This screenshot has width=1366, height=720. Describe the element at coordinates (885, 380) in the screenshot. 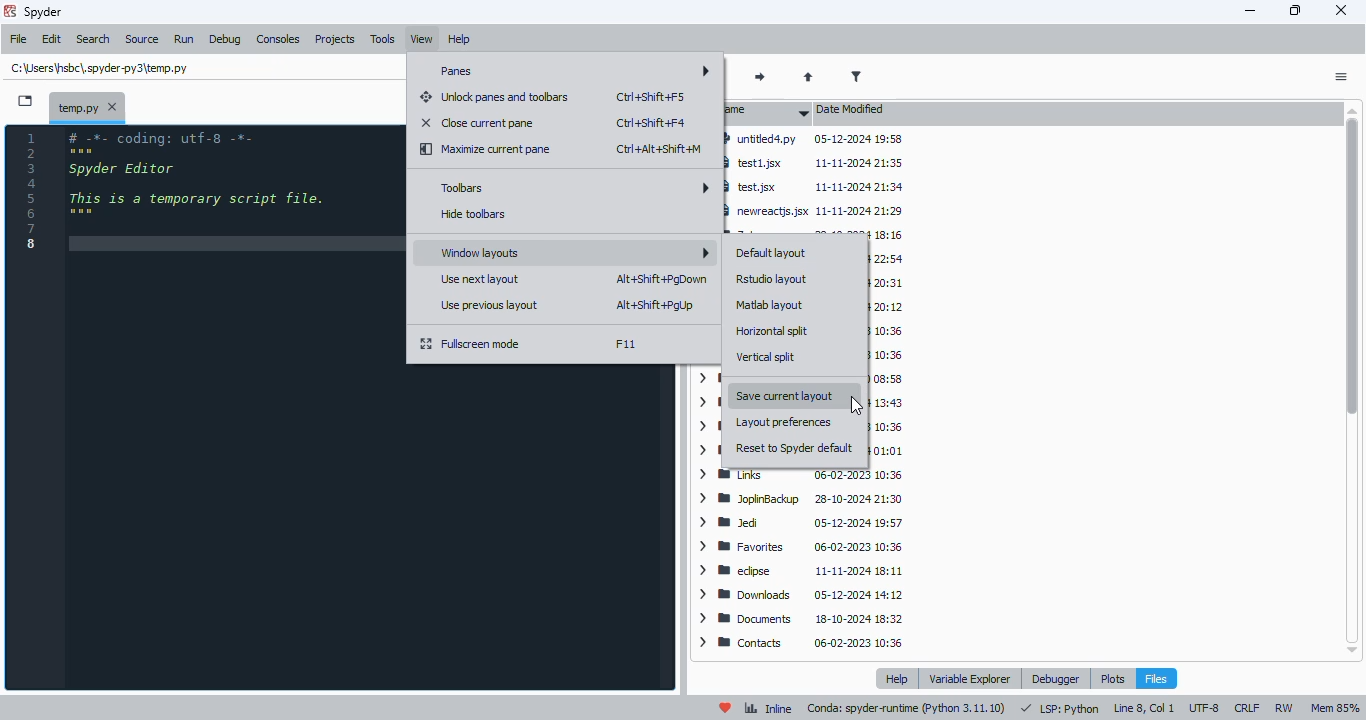

I see `Roaming` at that location.